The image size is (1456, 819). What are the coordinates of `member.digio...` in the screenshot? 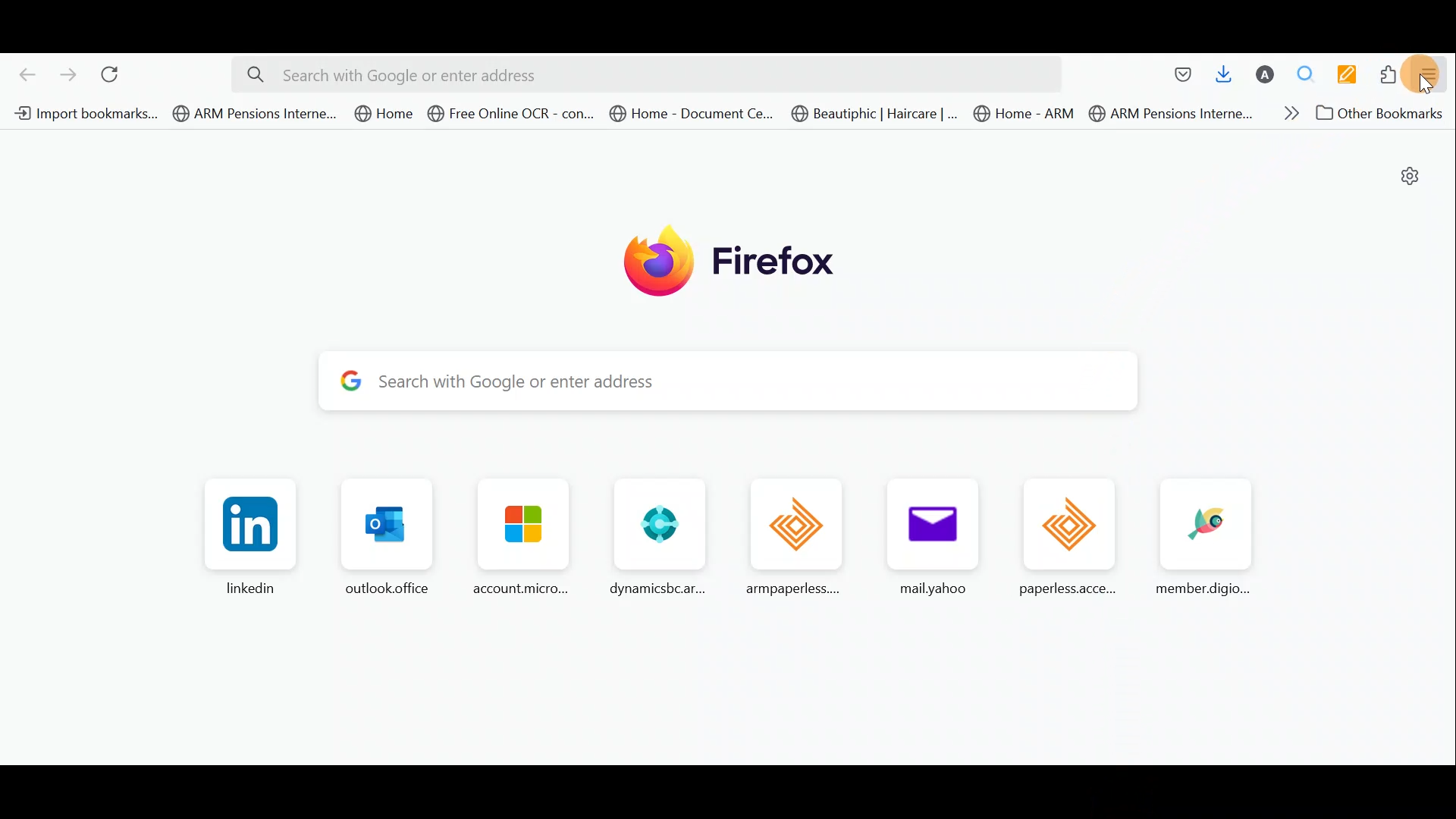 It's located at (1198, 540).